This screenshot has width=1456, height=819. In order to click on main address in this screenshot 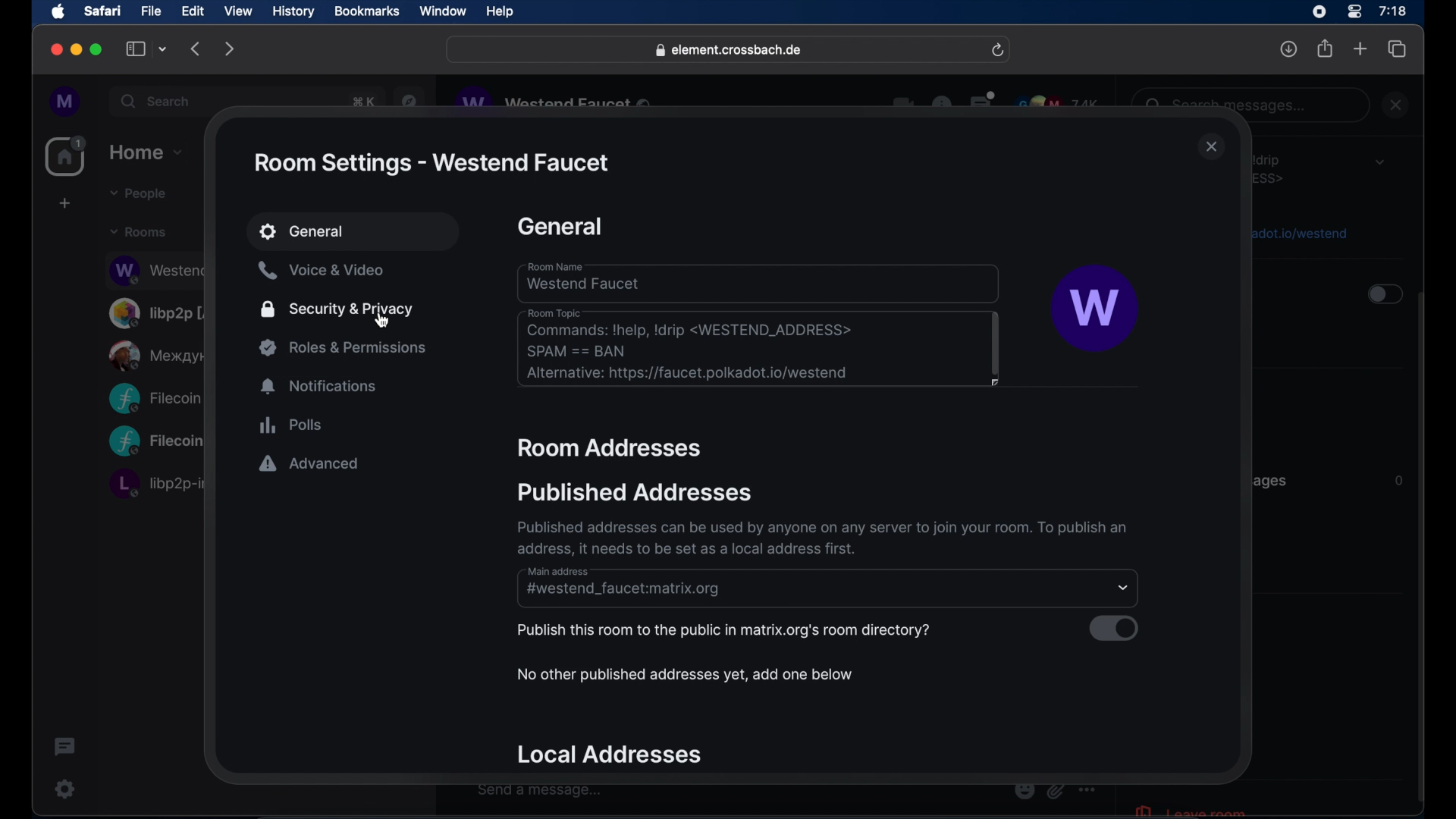, I will do `click(560, 571)`.